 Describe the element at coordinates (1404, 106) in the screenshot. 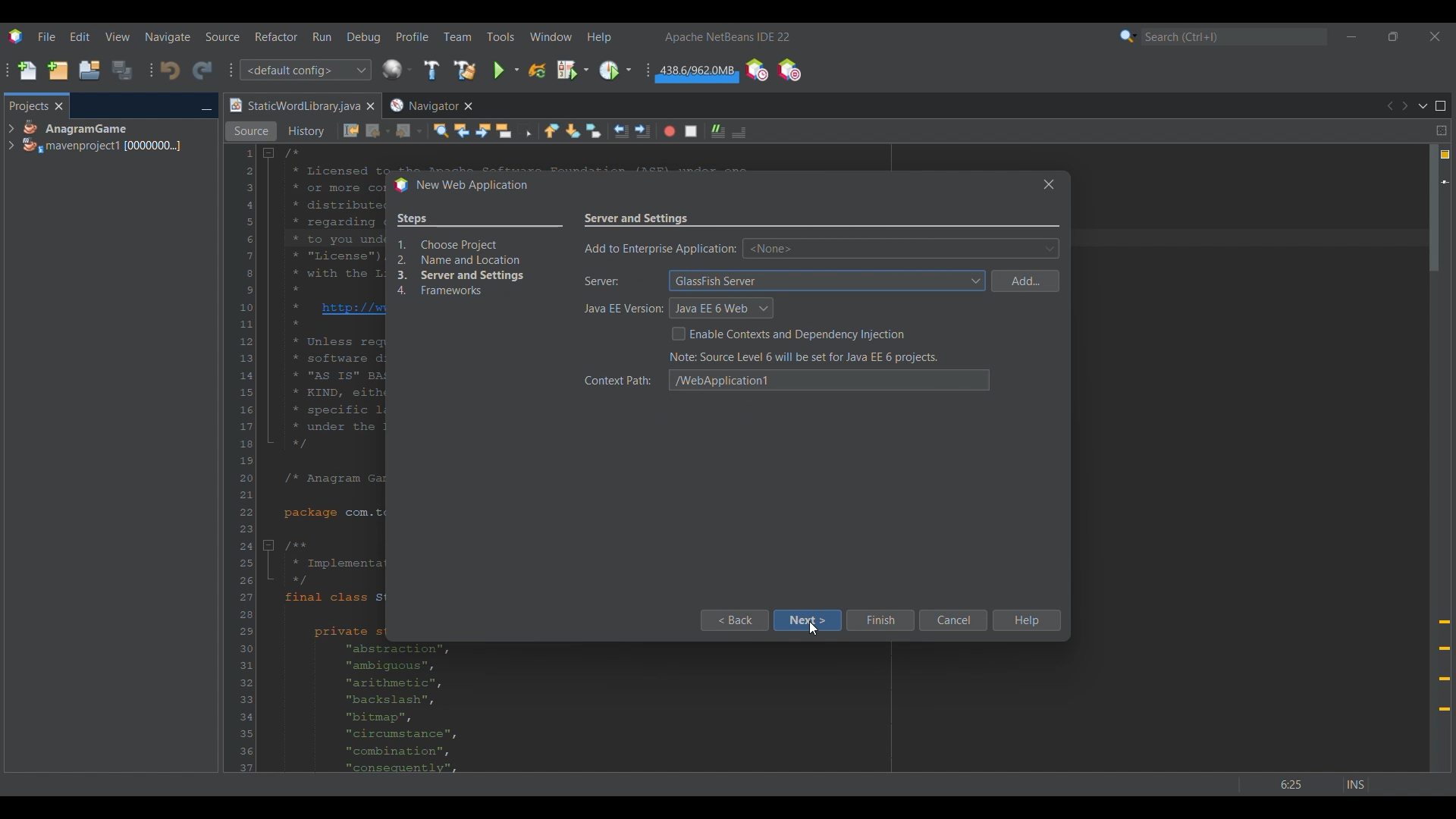

I see `Next` at that location.